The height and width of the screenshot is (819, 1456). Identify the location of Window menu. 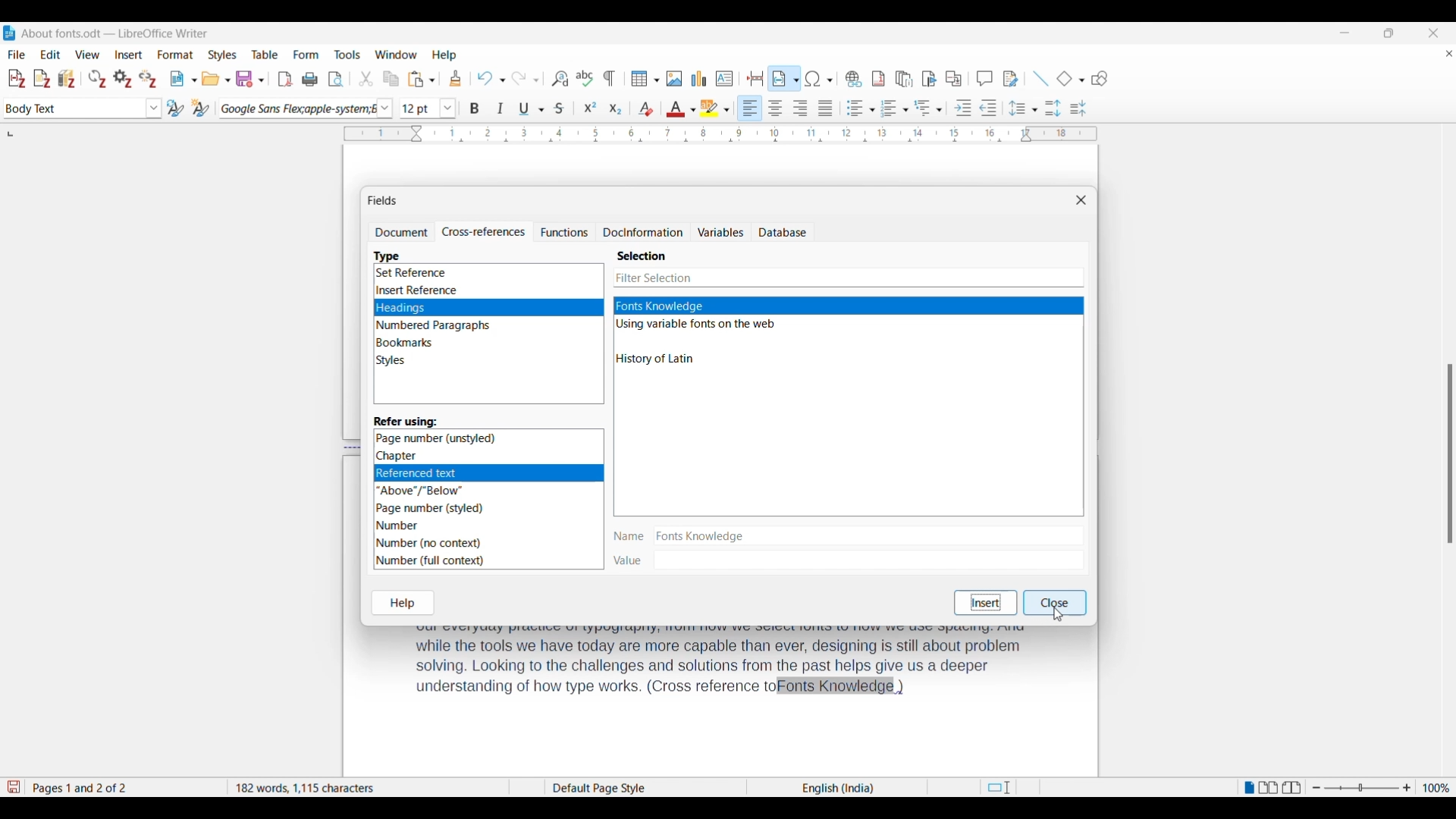
(397, 55).